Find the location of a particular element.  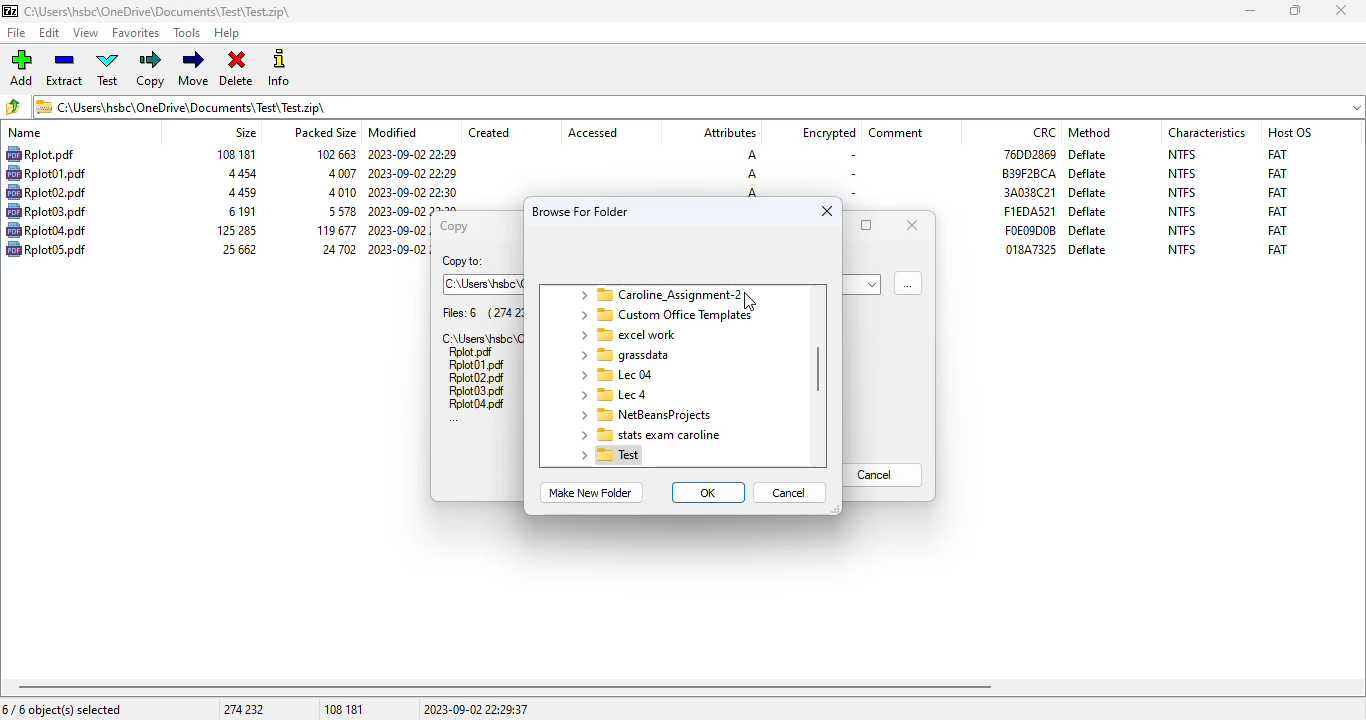

browse for folder is located at coordinates (908, 282).